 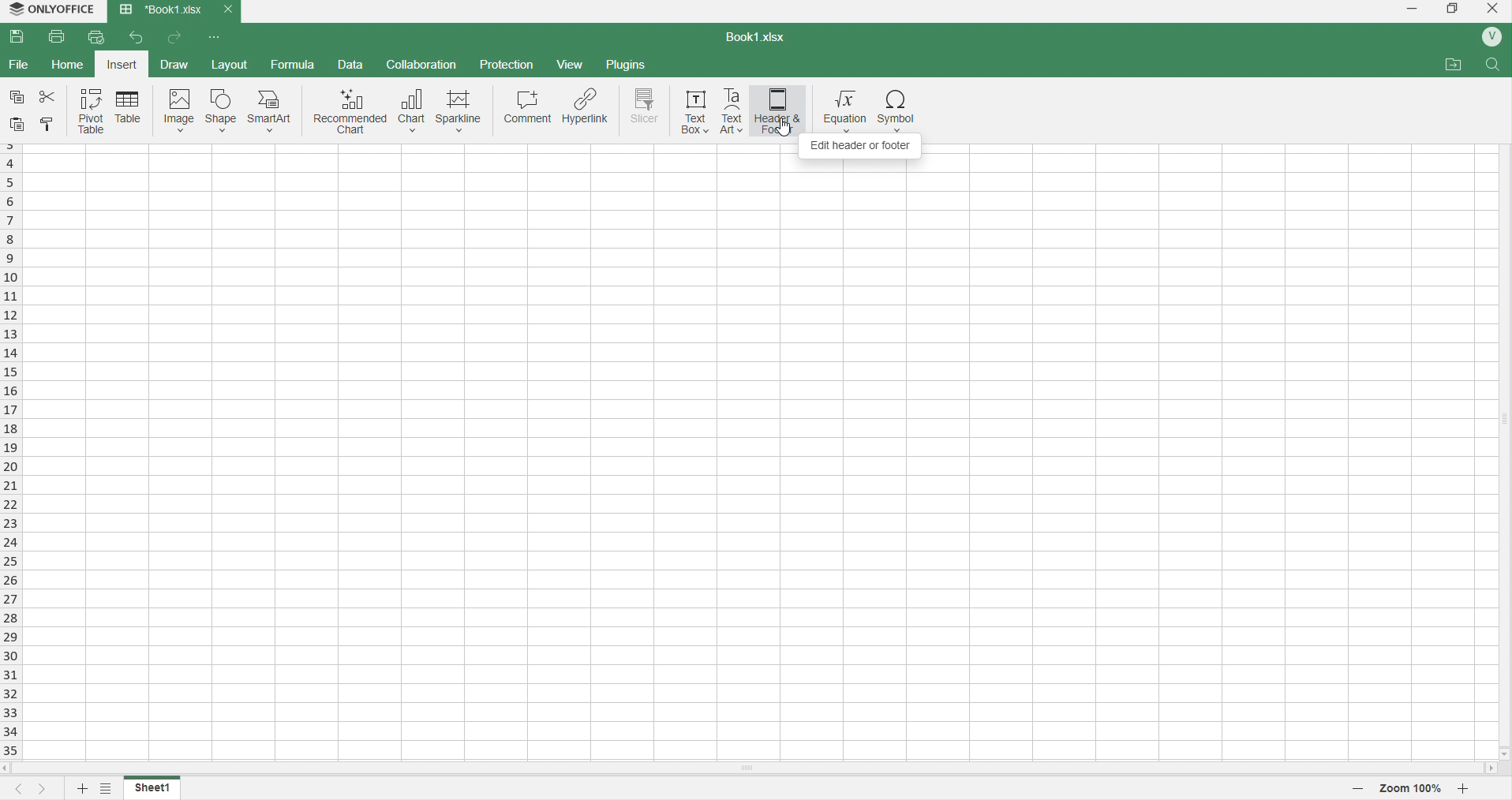 What do you see at coordinates (13, 789) in the screenshot?
I see `previous sheet` at bounding box center [13, 789].